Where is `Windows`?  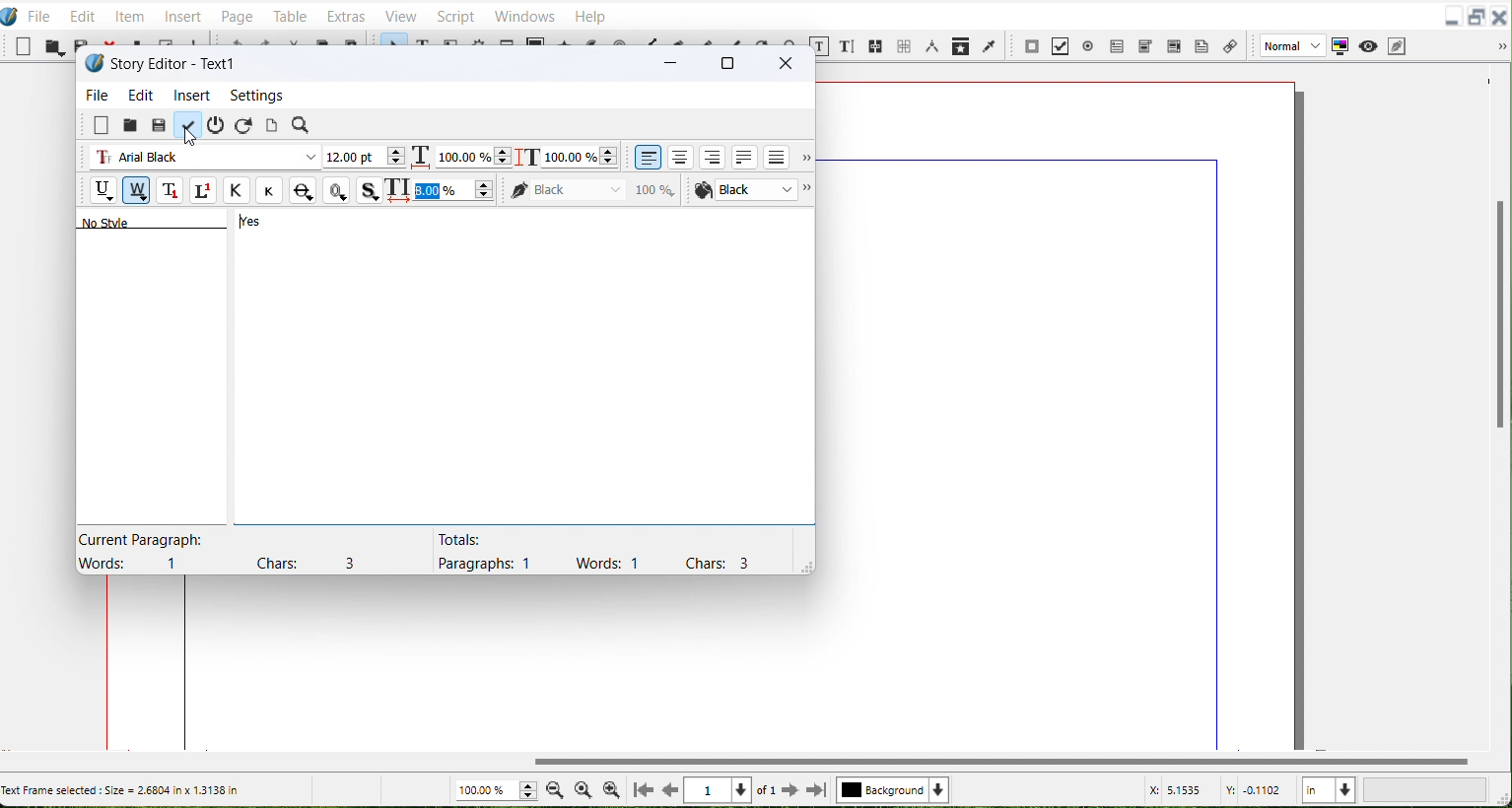 Windows is located at coordinates (523, 15).